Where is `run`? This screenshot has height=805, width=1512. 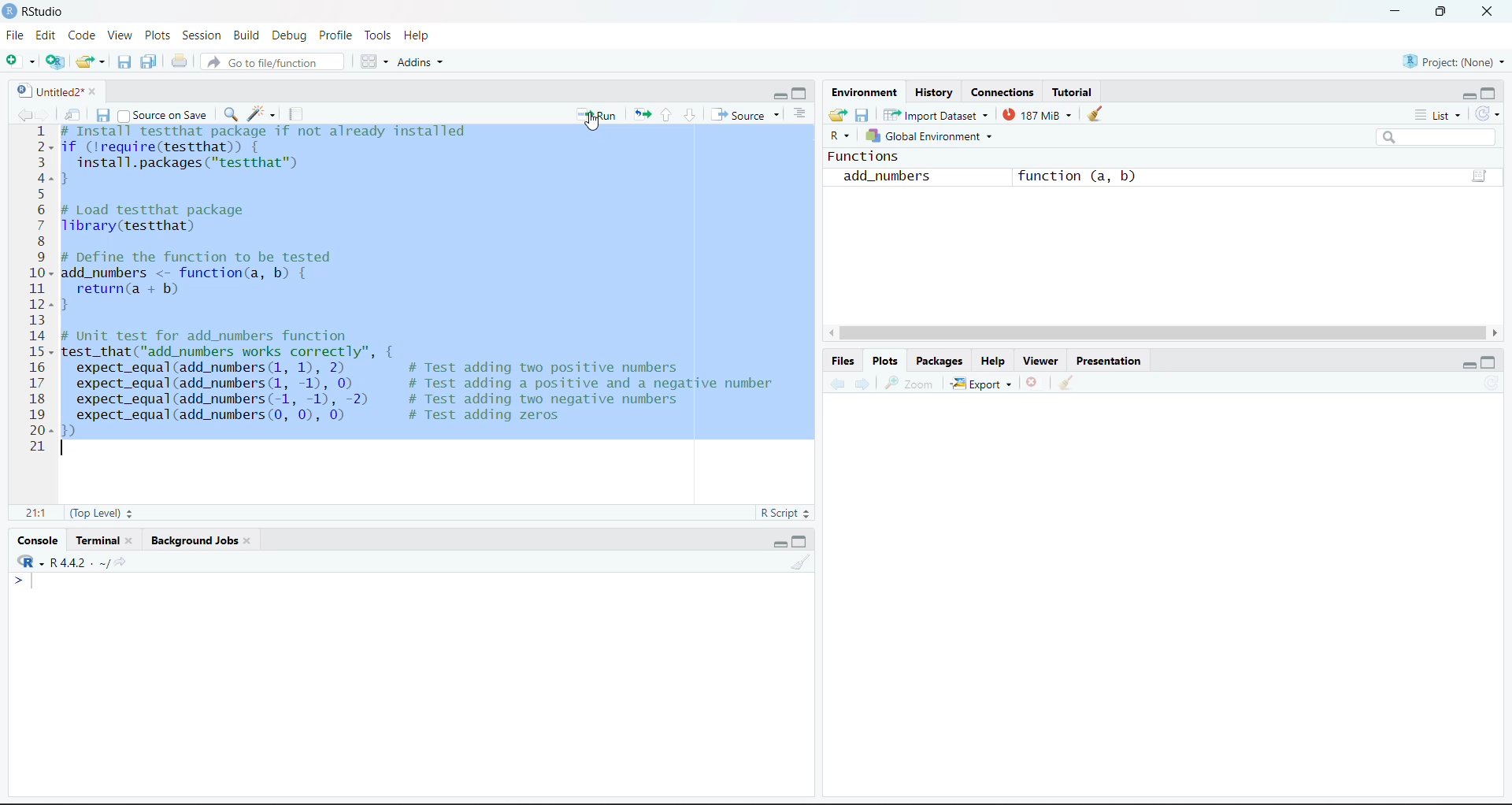 run is located at coordinates (597, 114).